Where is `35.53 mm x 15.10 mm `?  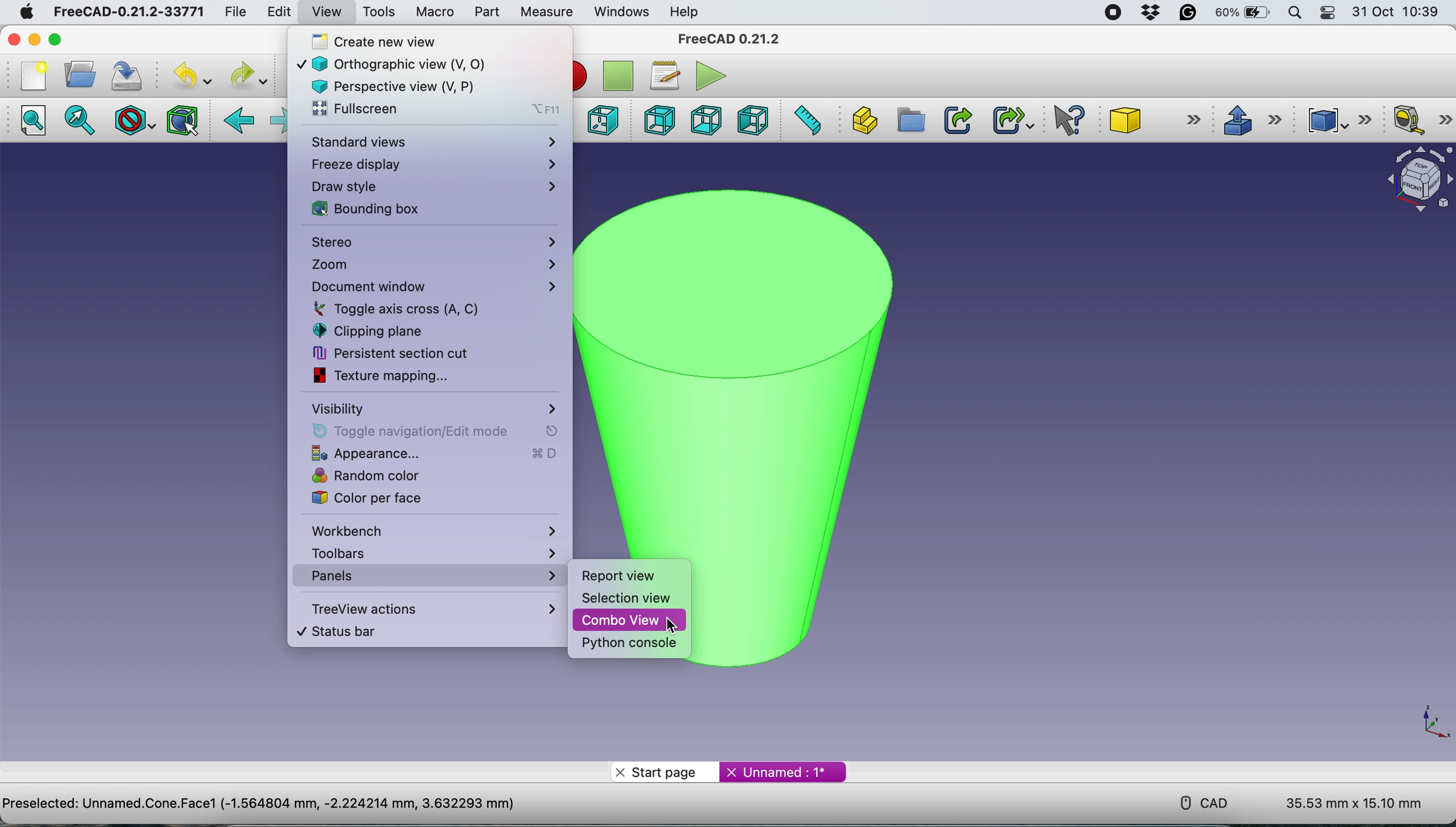
35.53 mm x 15.10 mm  is located at coordinates (1354, 804).